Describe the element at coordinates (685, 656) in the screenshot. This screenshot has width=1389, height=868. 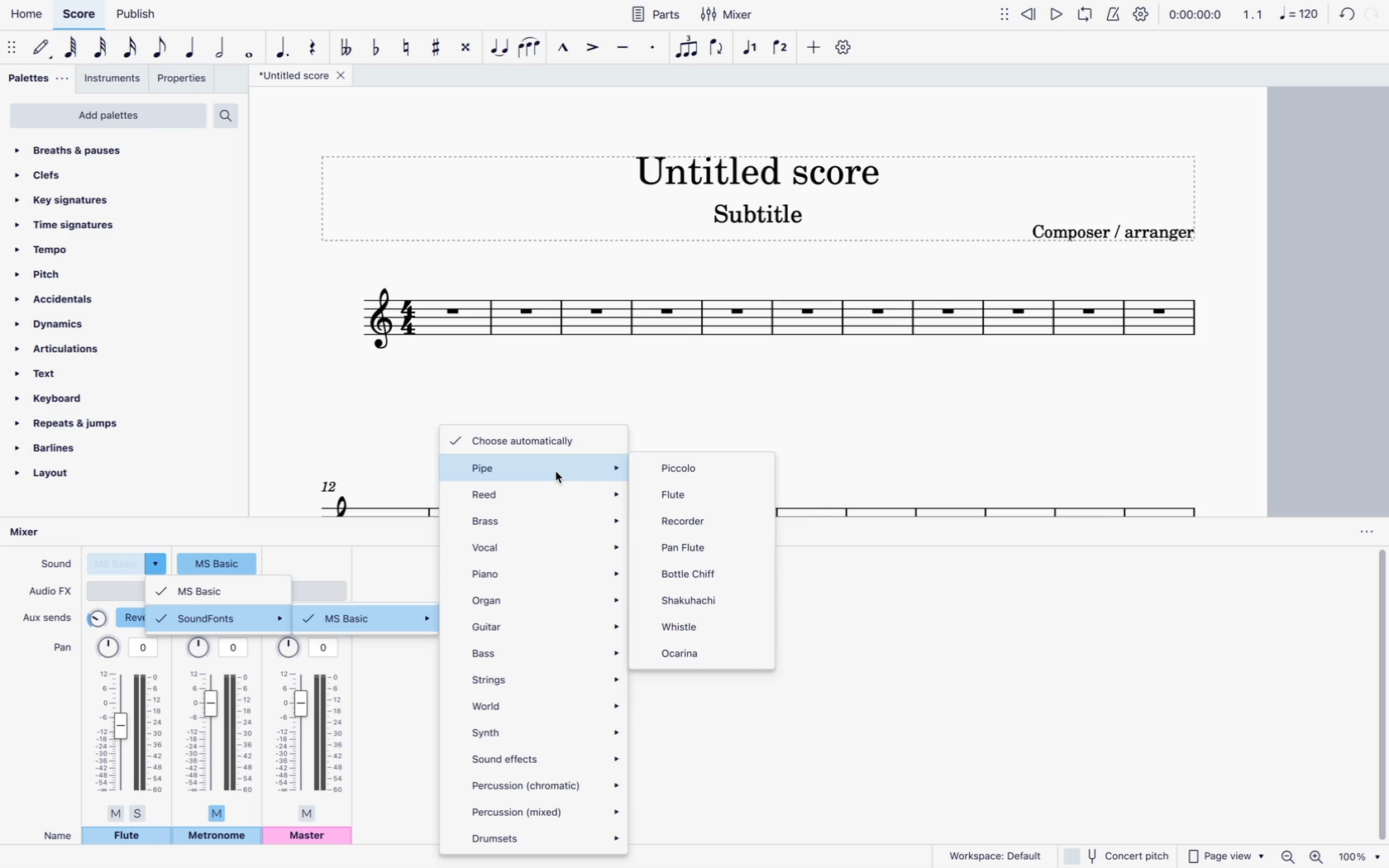
I see `ocarina` at that location.